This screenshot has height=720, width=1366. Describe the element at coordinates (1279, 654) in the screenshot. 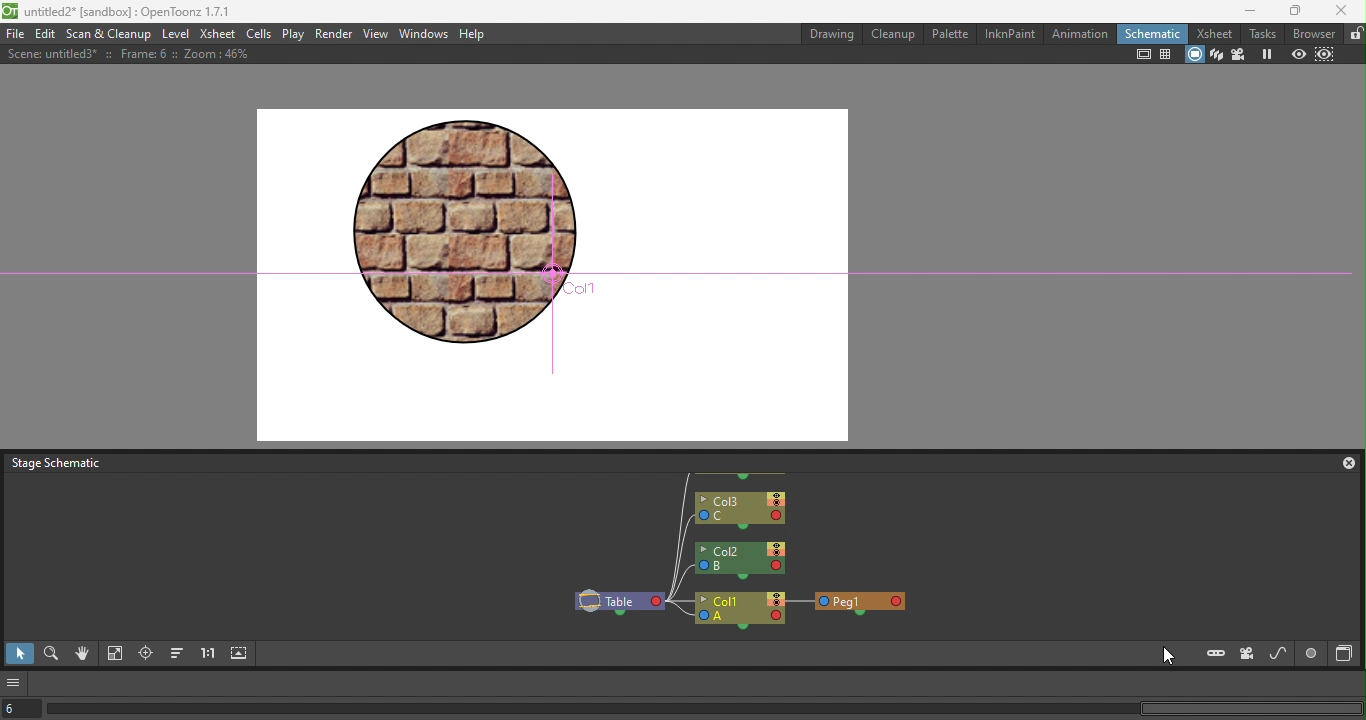

I see `New  motion path` at that location.